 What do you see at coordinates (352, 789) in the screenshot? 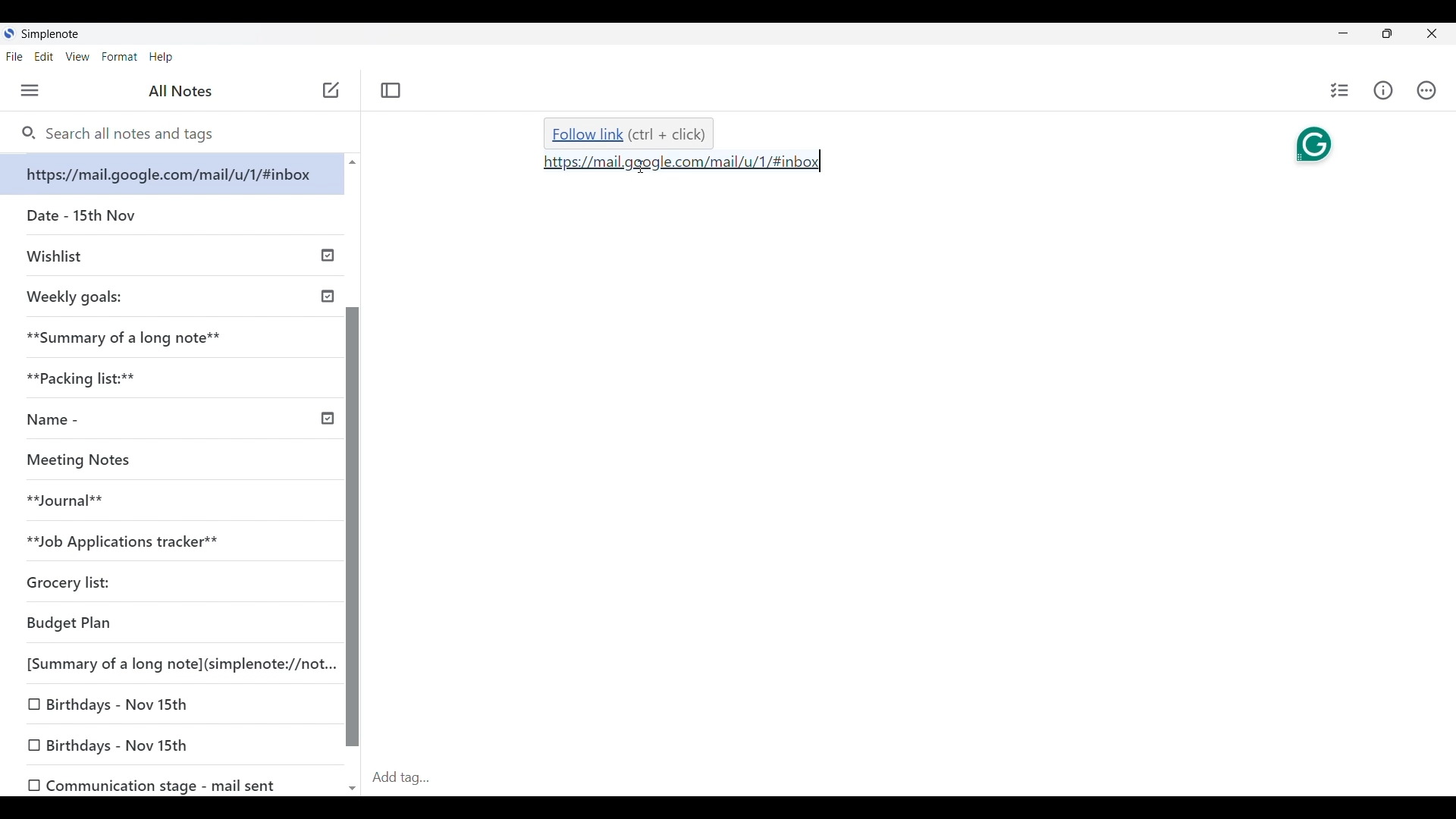
I see `Quick slide to bottom` at bounding box center [352, 789].